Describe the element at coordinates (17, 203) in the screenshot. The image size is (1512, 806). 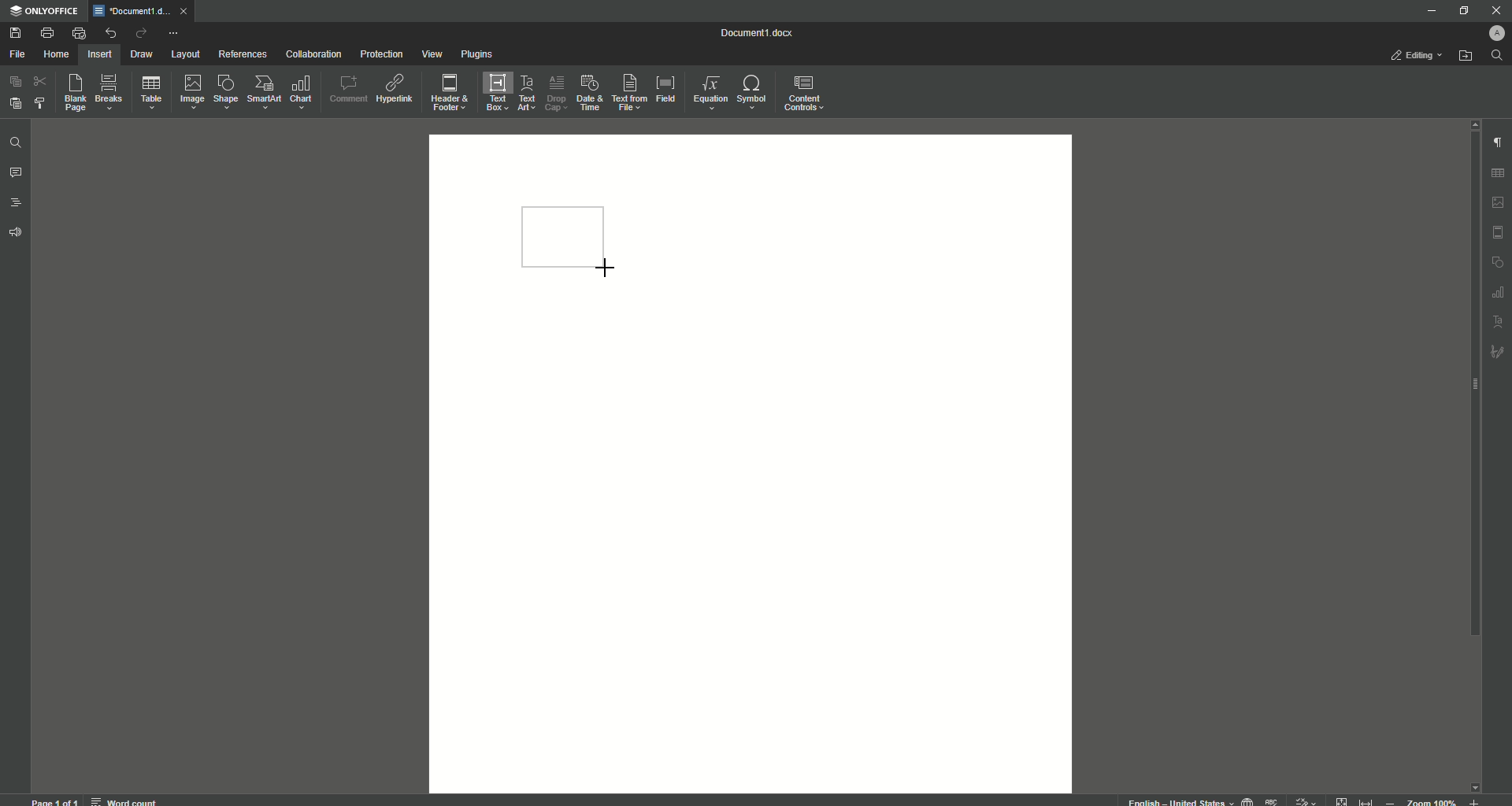
I see `Headings` at that location.